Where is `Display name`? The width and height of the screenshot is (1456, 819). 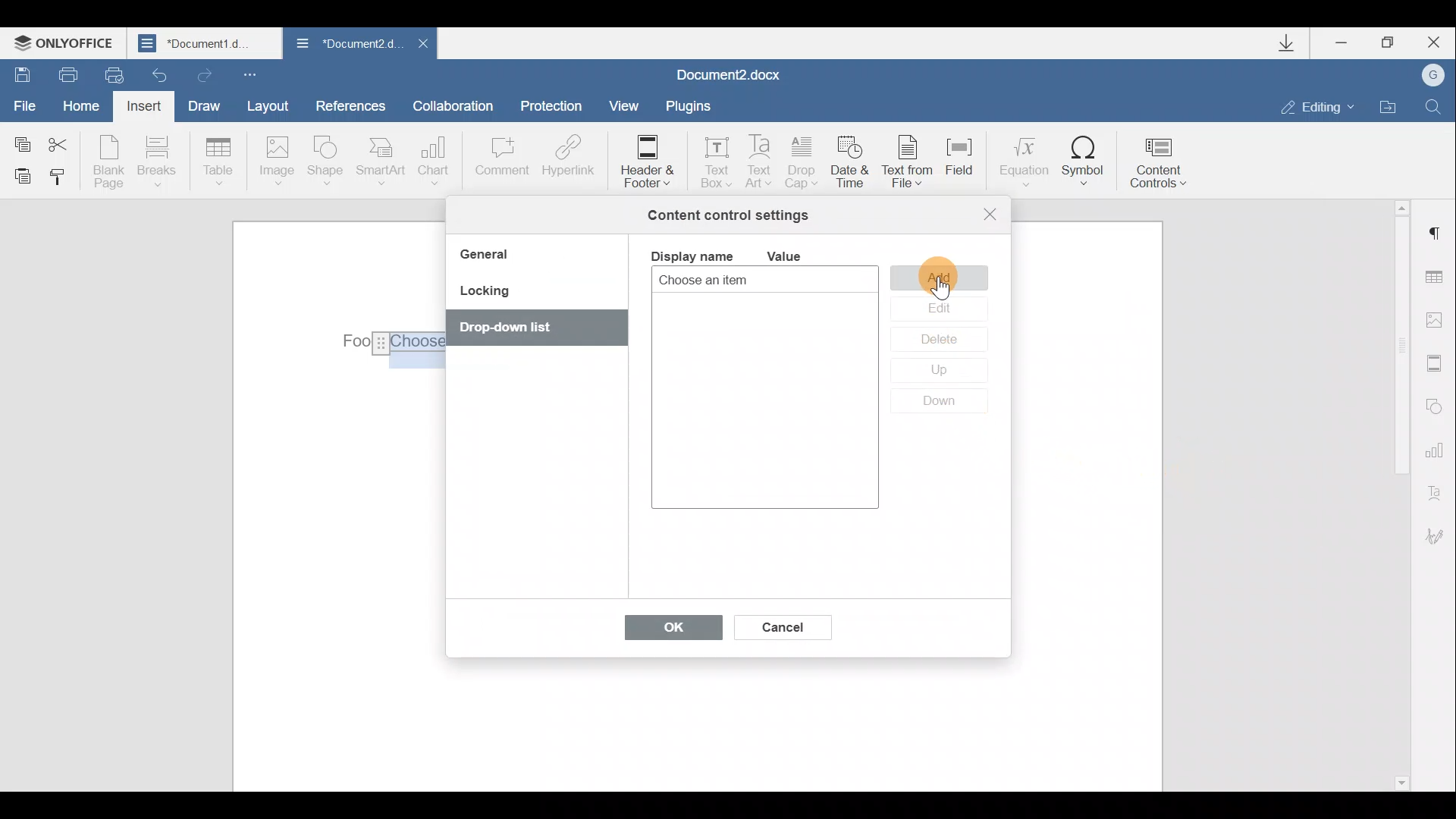 Display name is located at coordinates (691, 255).